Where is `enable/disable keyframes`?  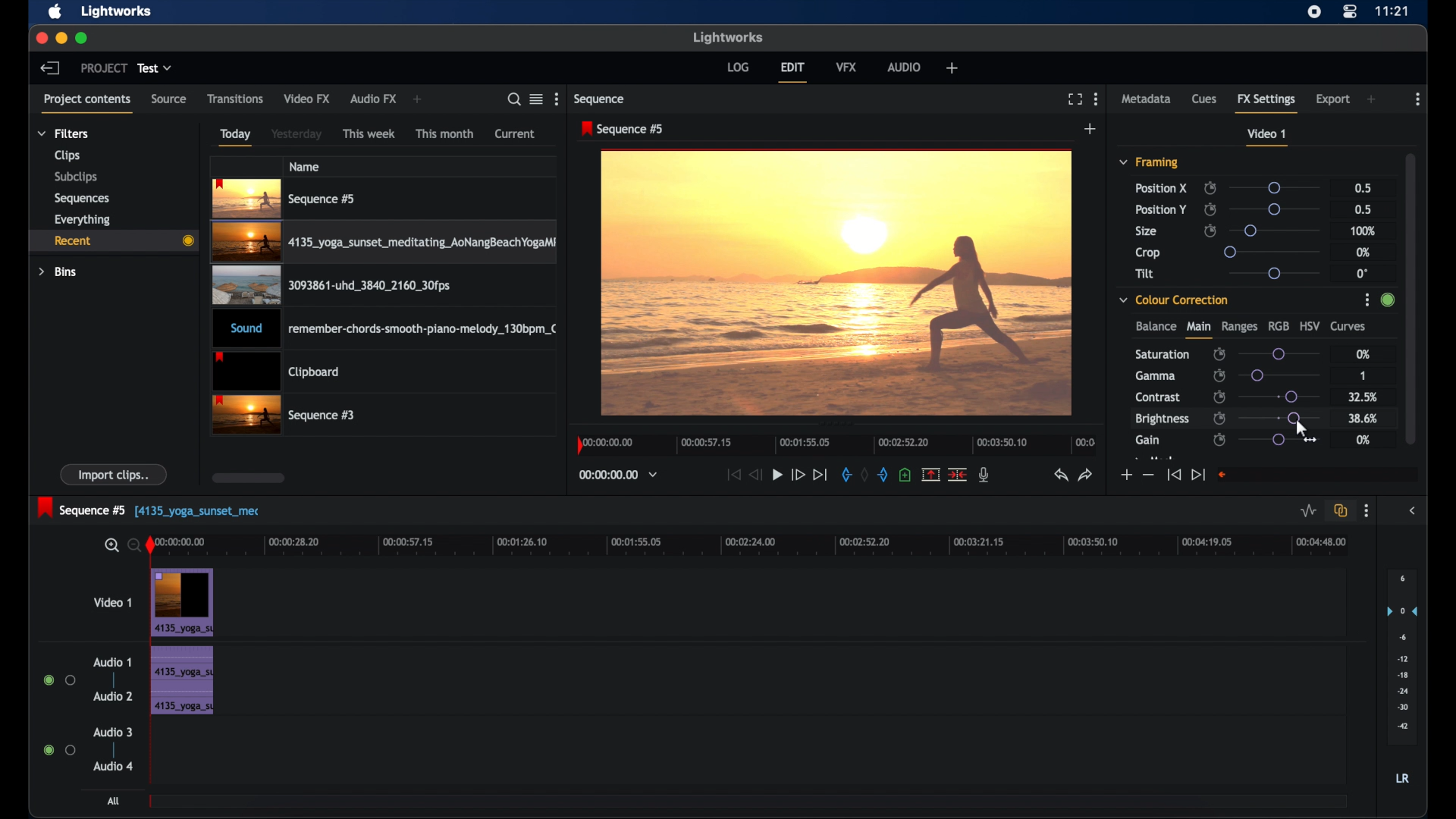
enable/disable keyframes is located at coordinates (1210, 230).